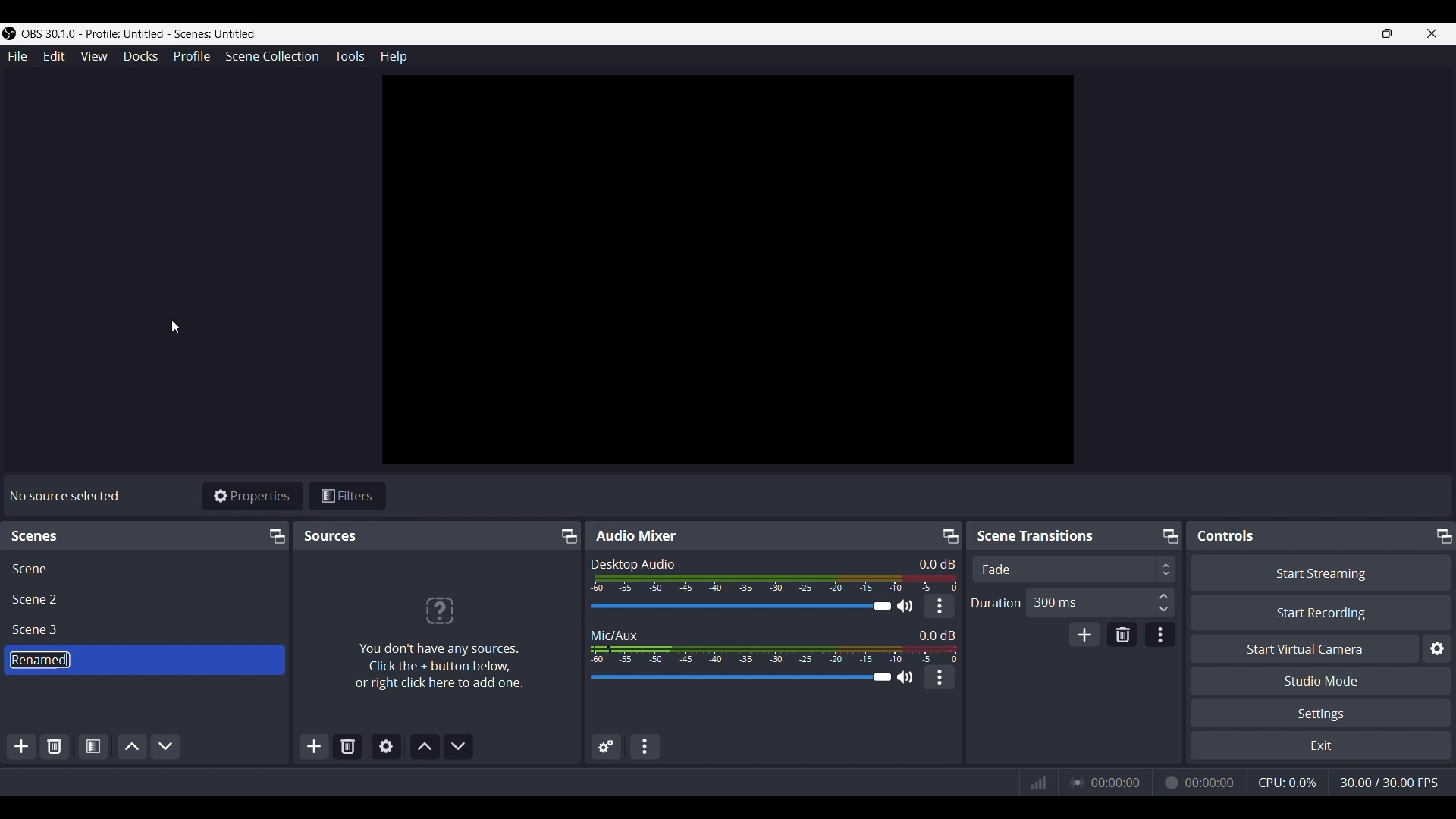 The image size is (1456, 819). I want to click on Settings, so click(1324, 714).